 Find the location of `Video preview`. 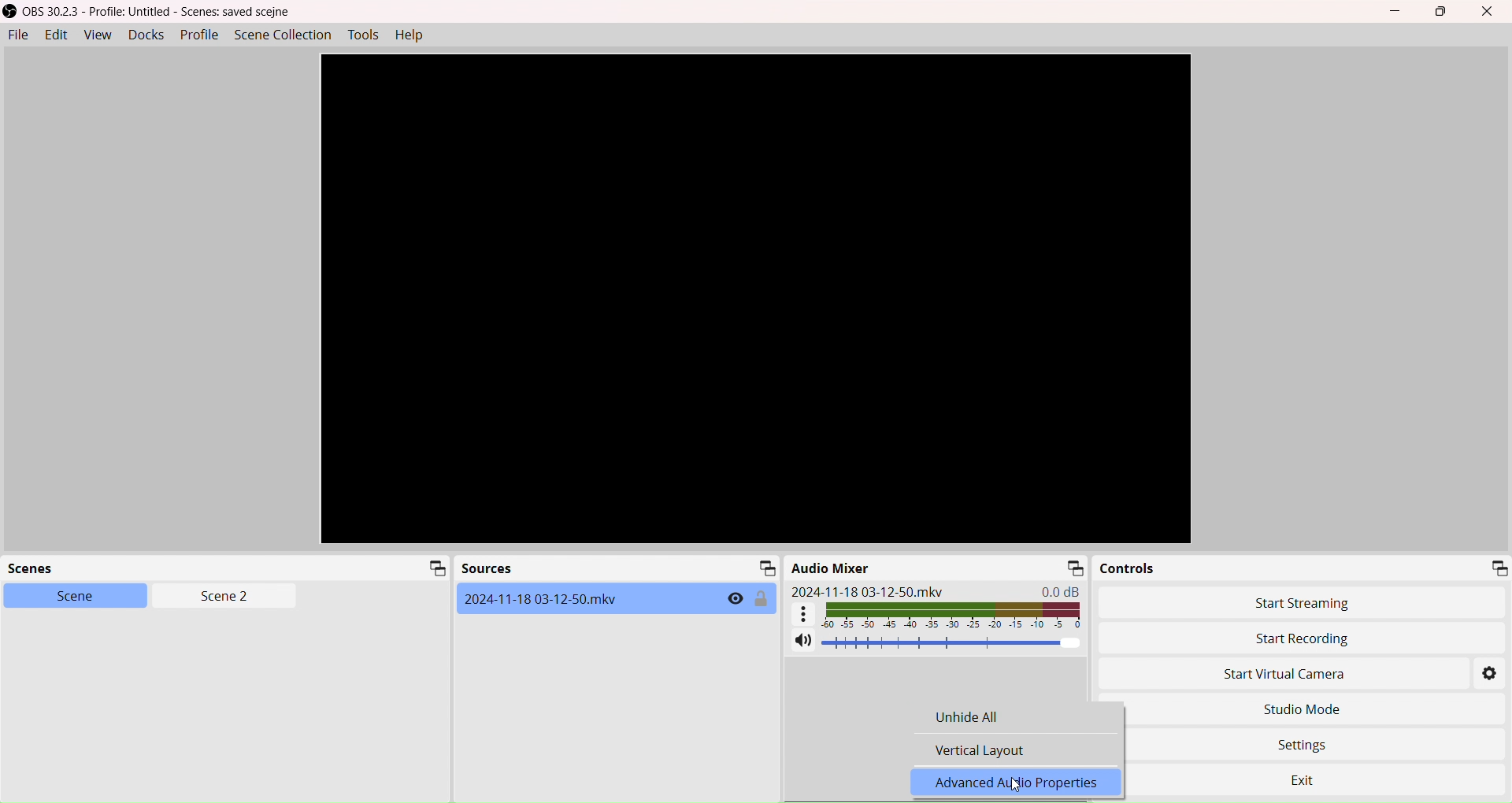

Video preview is located at coordinates (755, 299).